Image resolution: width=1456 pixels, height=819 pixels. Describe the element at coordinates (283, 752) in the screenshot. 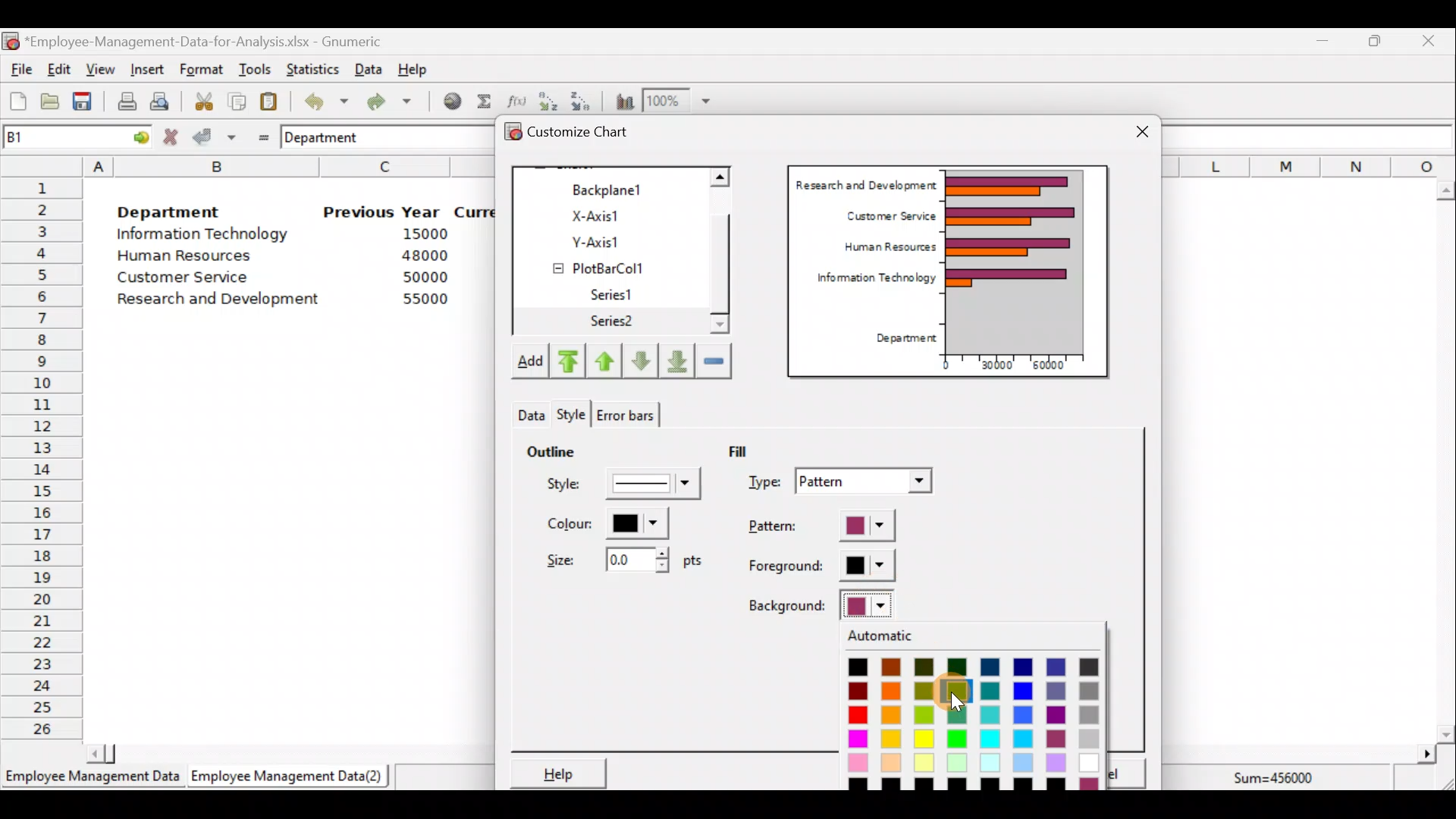

I see `Scroll bar` at that location.